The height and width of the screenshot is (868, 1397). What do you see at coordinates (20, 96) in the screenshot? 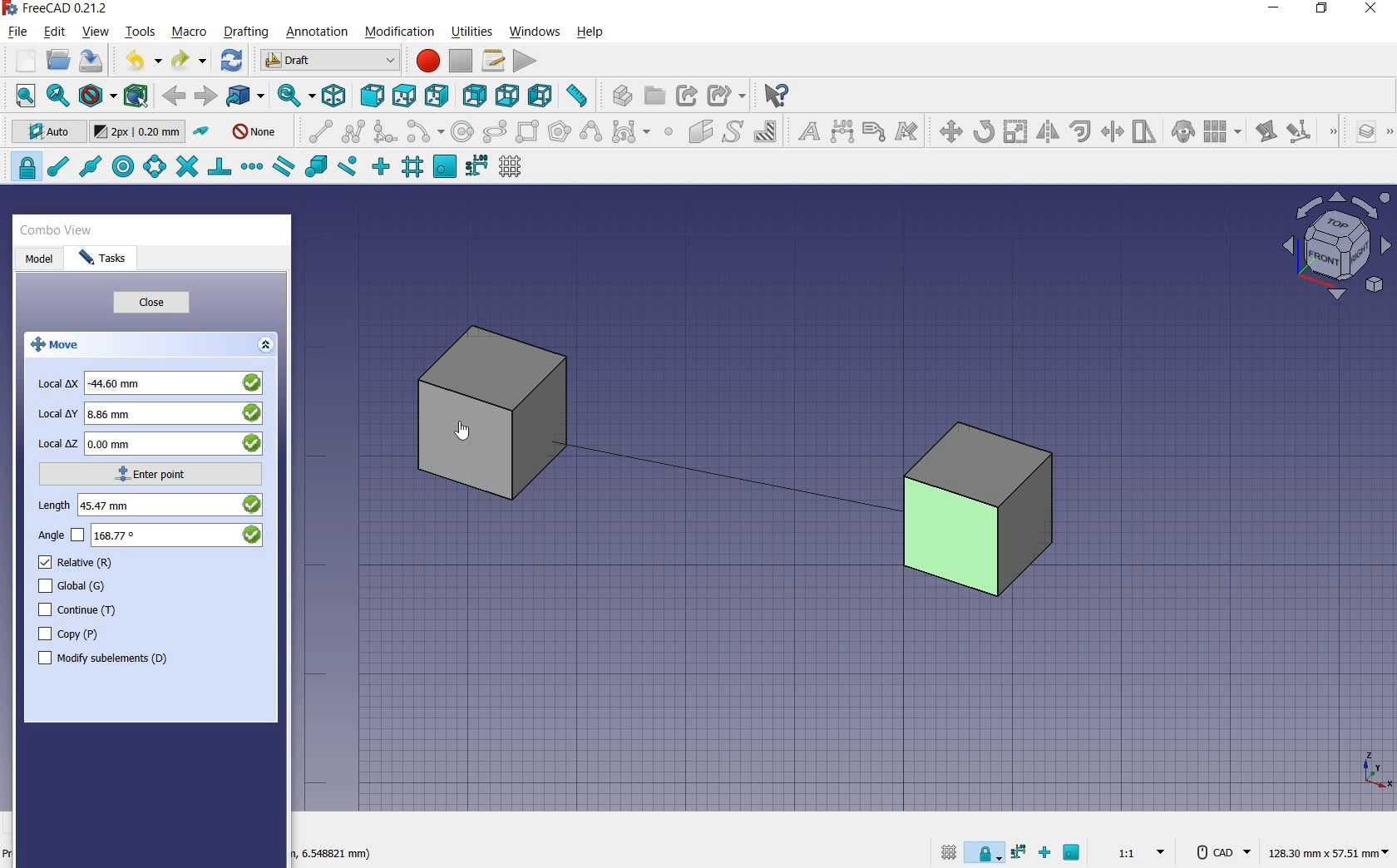
I see `fit all` at bounding box center [20, 96].